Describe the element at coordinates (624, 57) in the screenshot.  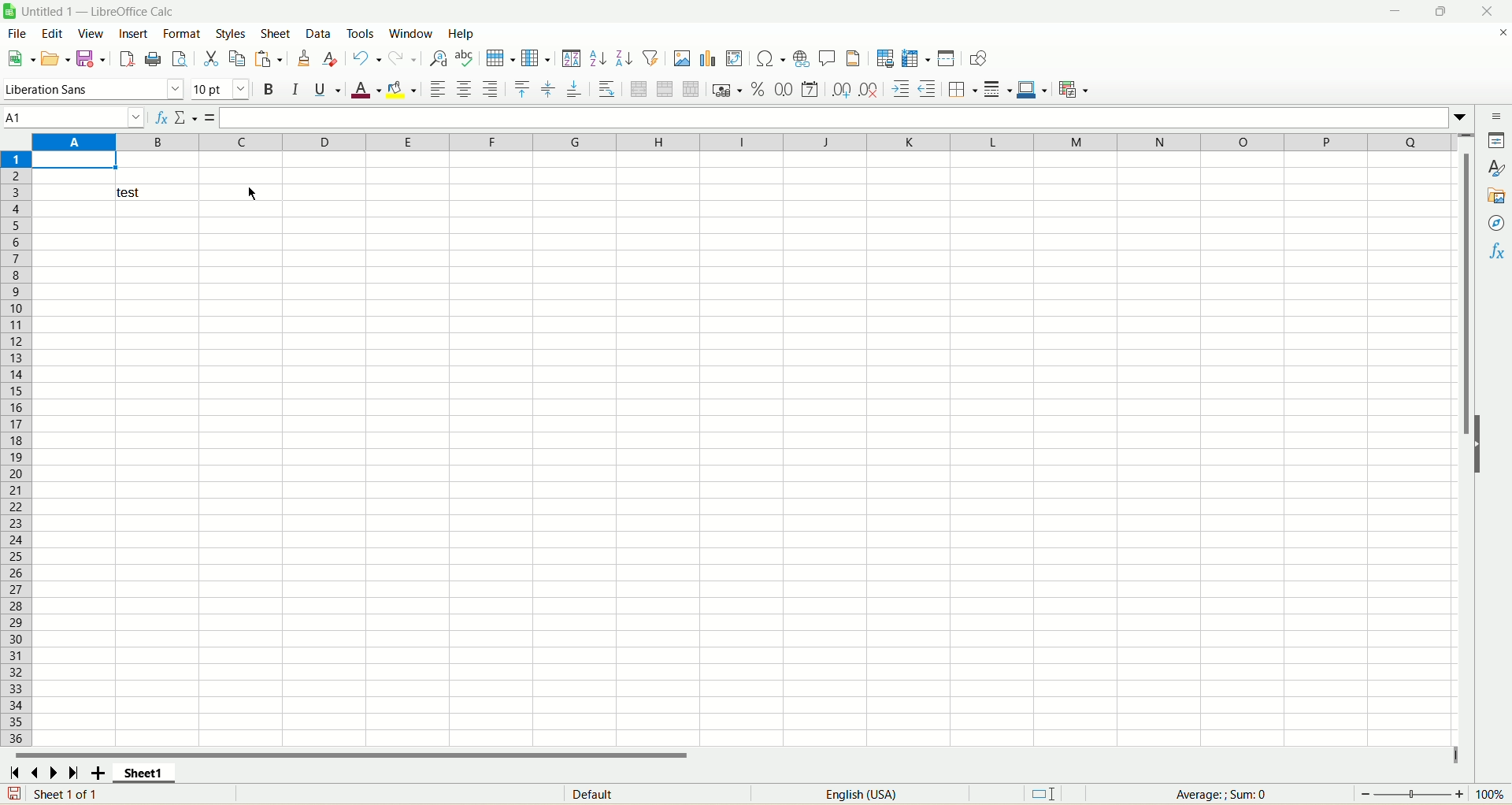
I see `Sort descending` at that location.